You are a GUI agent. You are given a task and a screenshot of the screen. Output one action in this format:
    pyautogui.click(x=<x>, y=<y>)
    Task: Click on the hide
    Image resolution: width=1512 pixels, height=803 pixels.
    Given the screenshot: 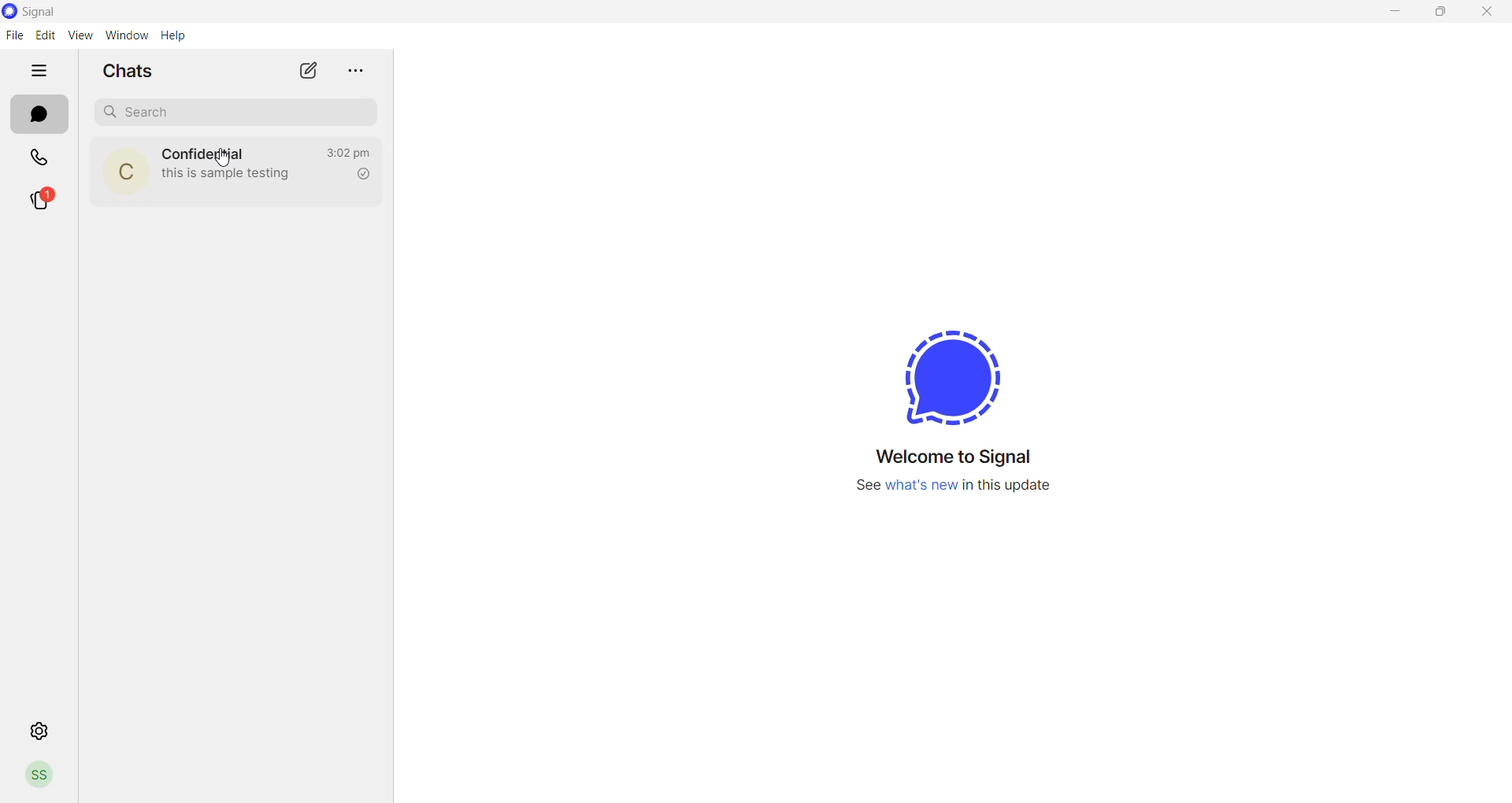 What is the action you would take?
    pyautogui.click(x=41, y=68)
    